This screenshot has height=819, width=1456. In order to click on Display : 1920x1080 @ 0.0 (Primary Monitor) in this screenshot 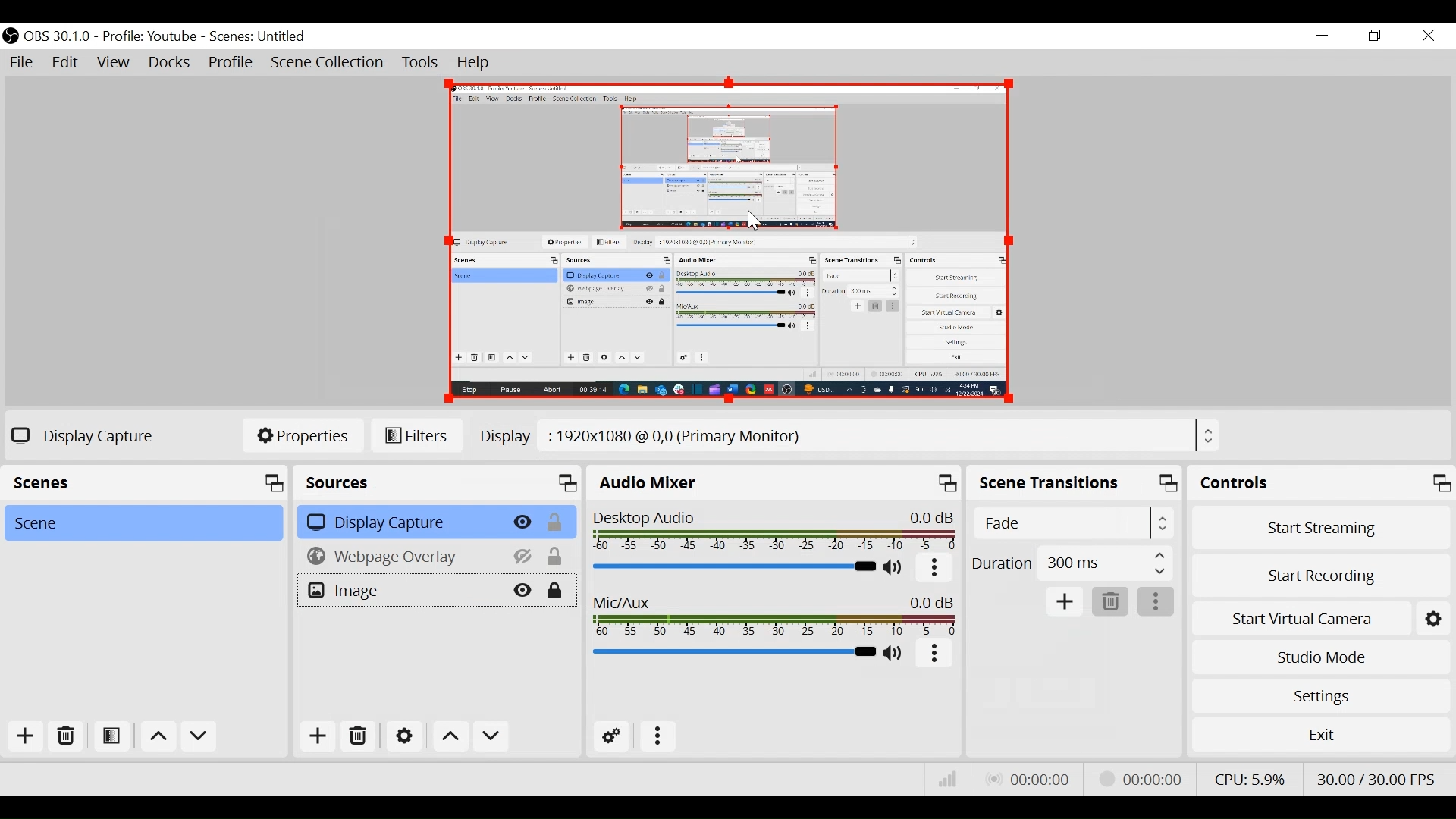, I will do `click(851, 434)`.